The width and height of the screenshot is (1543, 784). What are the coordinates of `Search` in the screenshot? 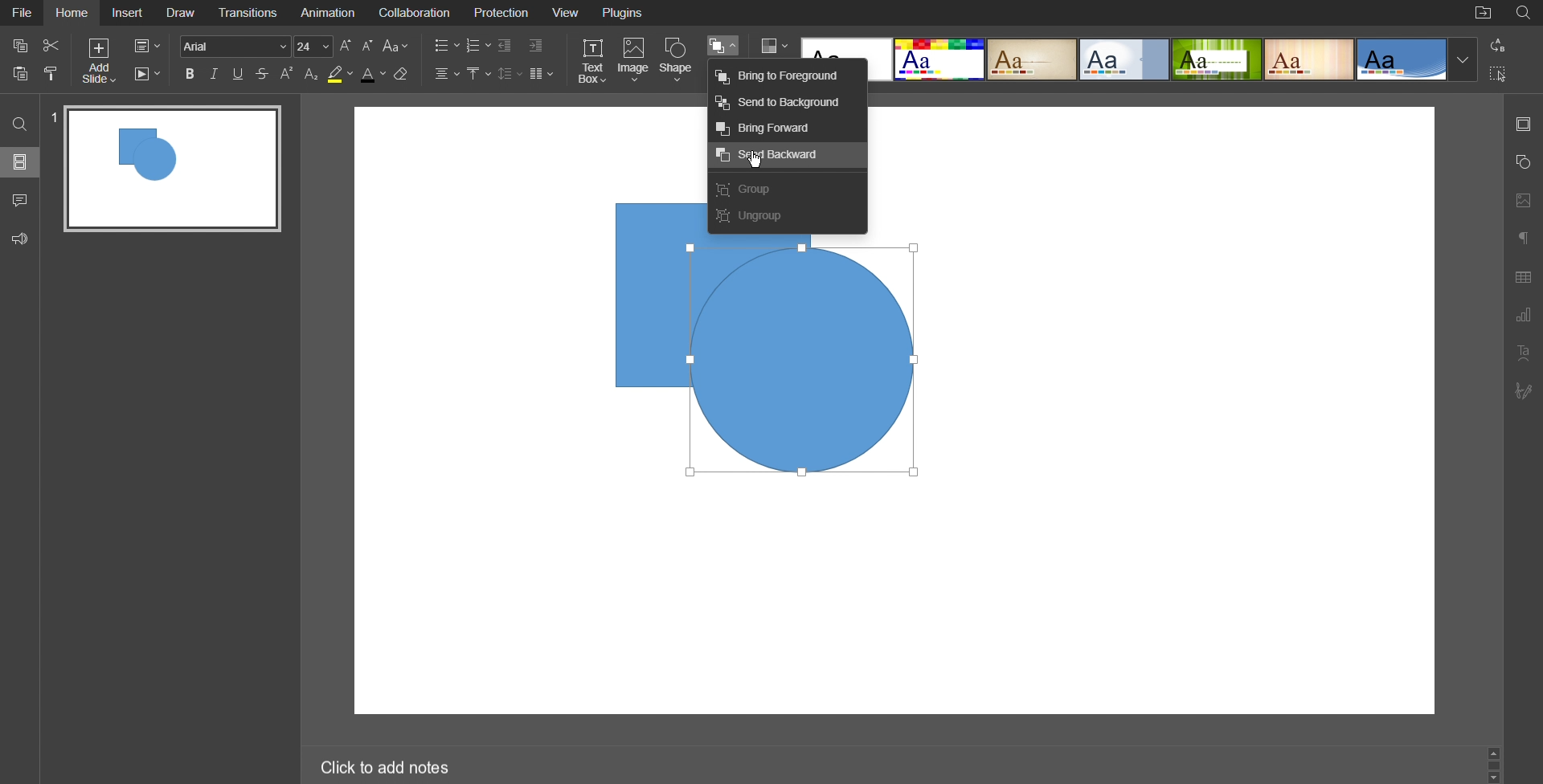 It's located at (18, 123).